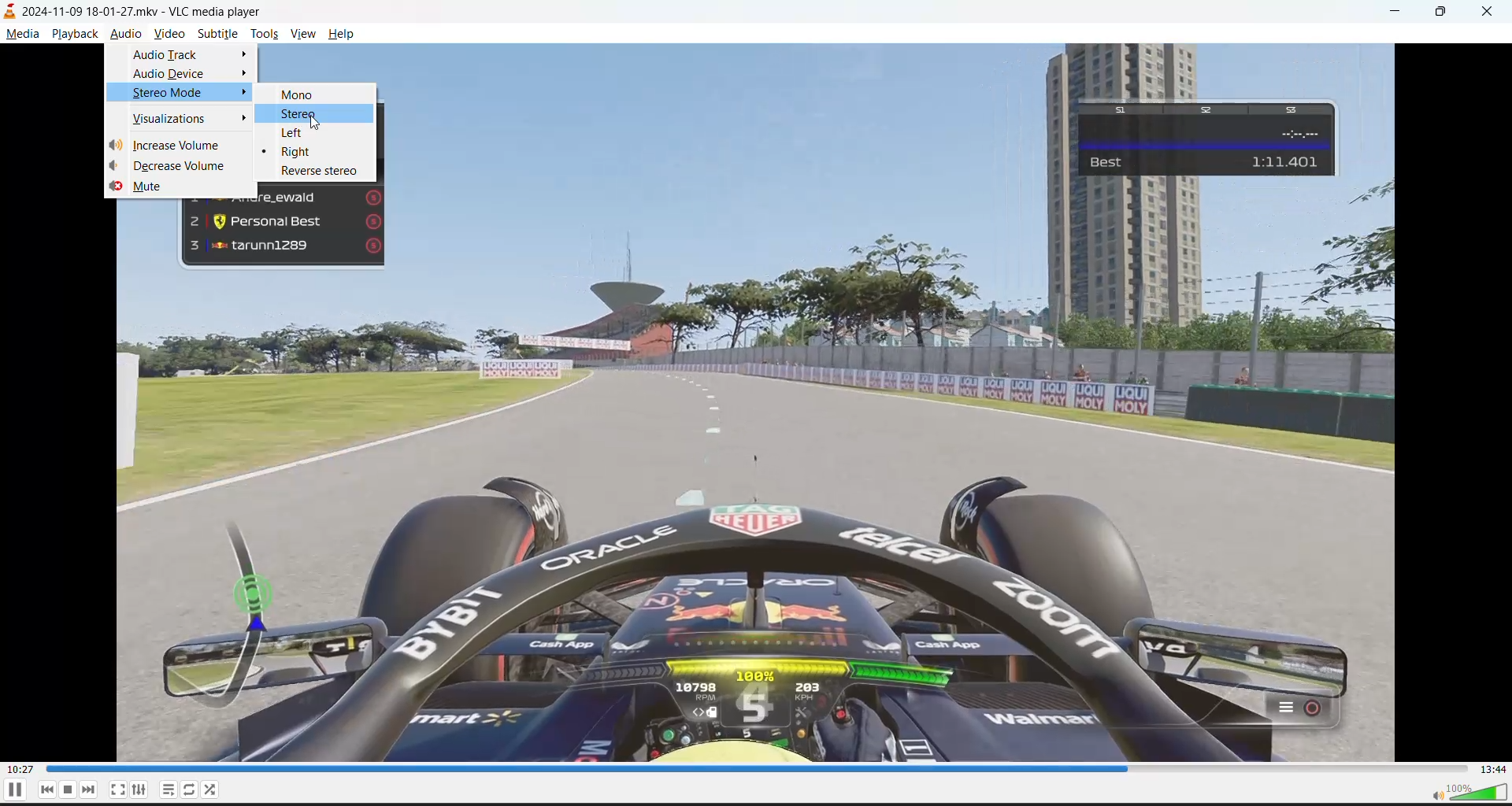 The height and width of the screenshot is (806, 1512). What do you see at coordinates (293, 134) in the screenshot?
I see `left` at bounding box center [293, 134].